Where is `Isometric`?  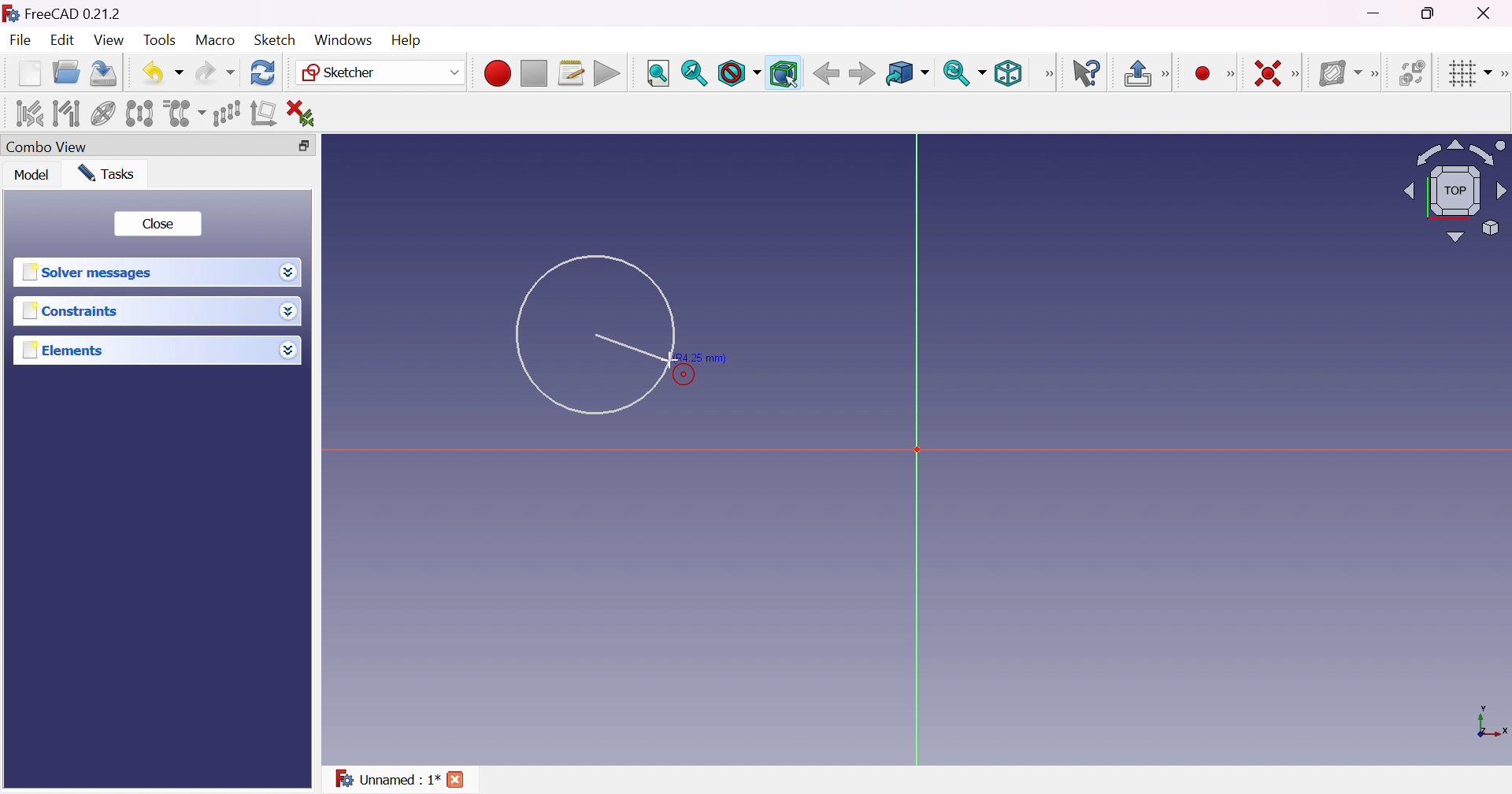 Isometric is located at coordinates (1008, 74).